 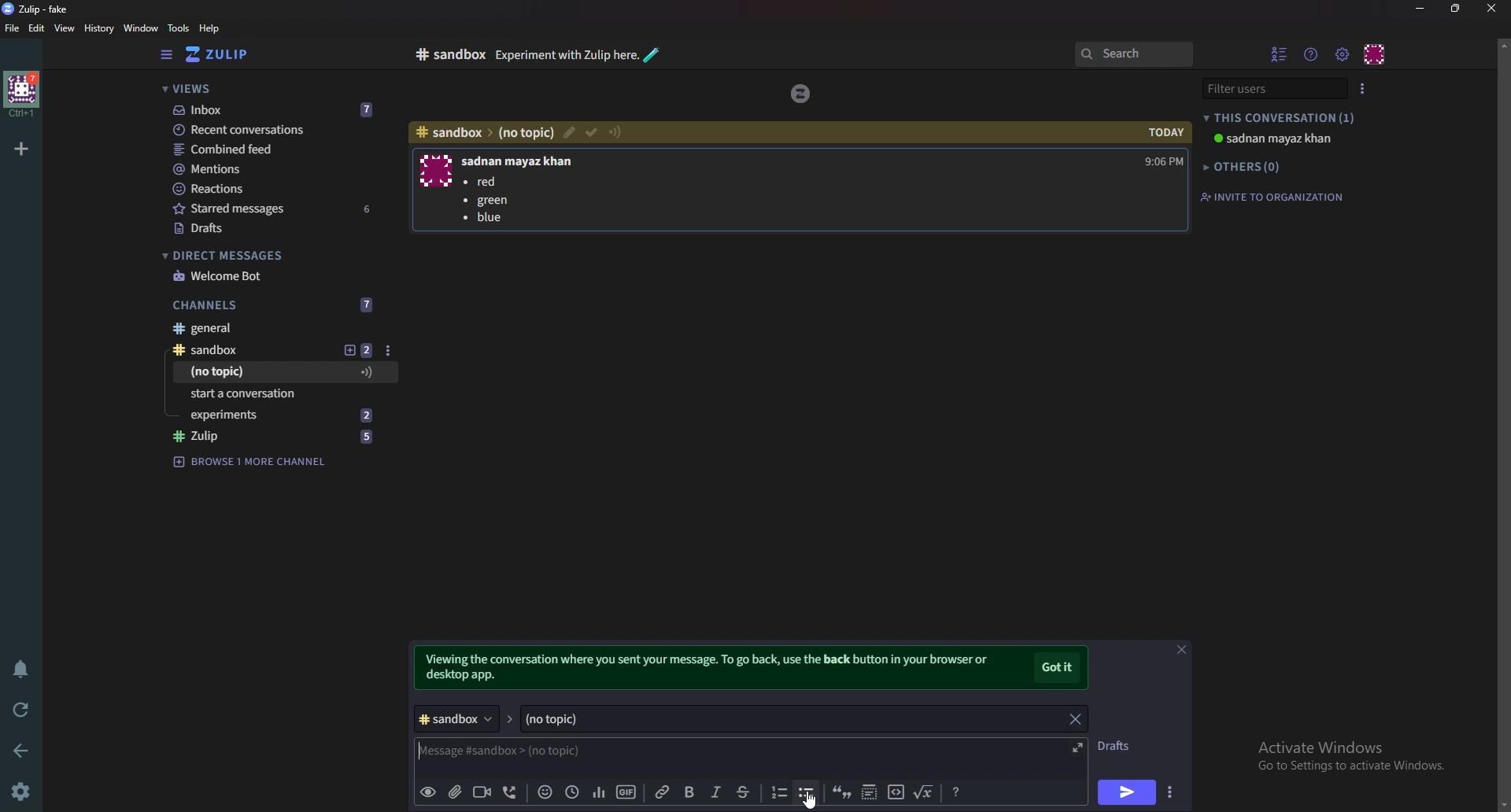 I want to click on Inbox, so click(x=276, y=111).